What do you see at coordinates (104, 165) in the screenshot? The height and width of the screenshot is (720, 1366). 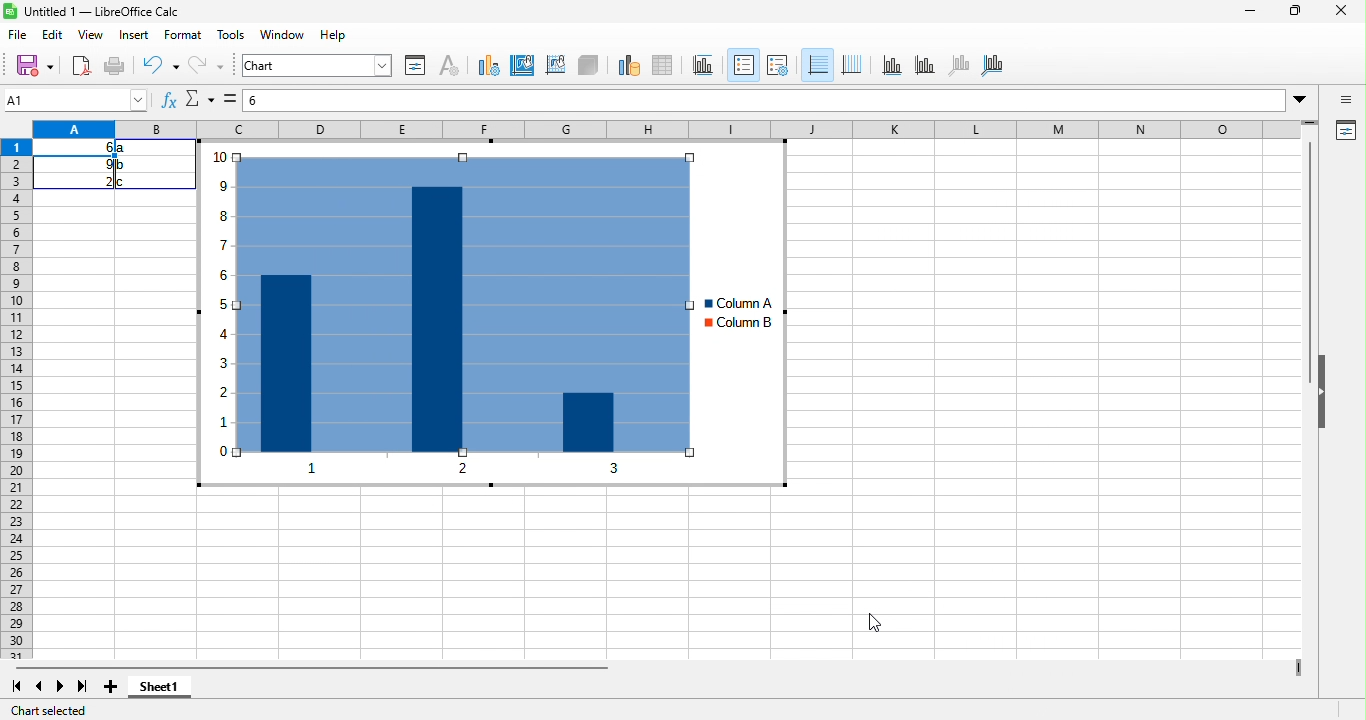 I see `9` at bounding box center [104, 165].